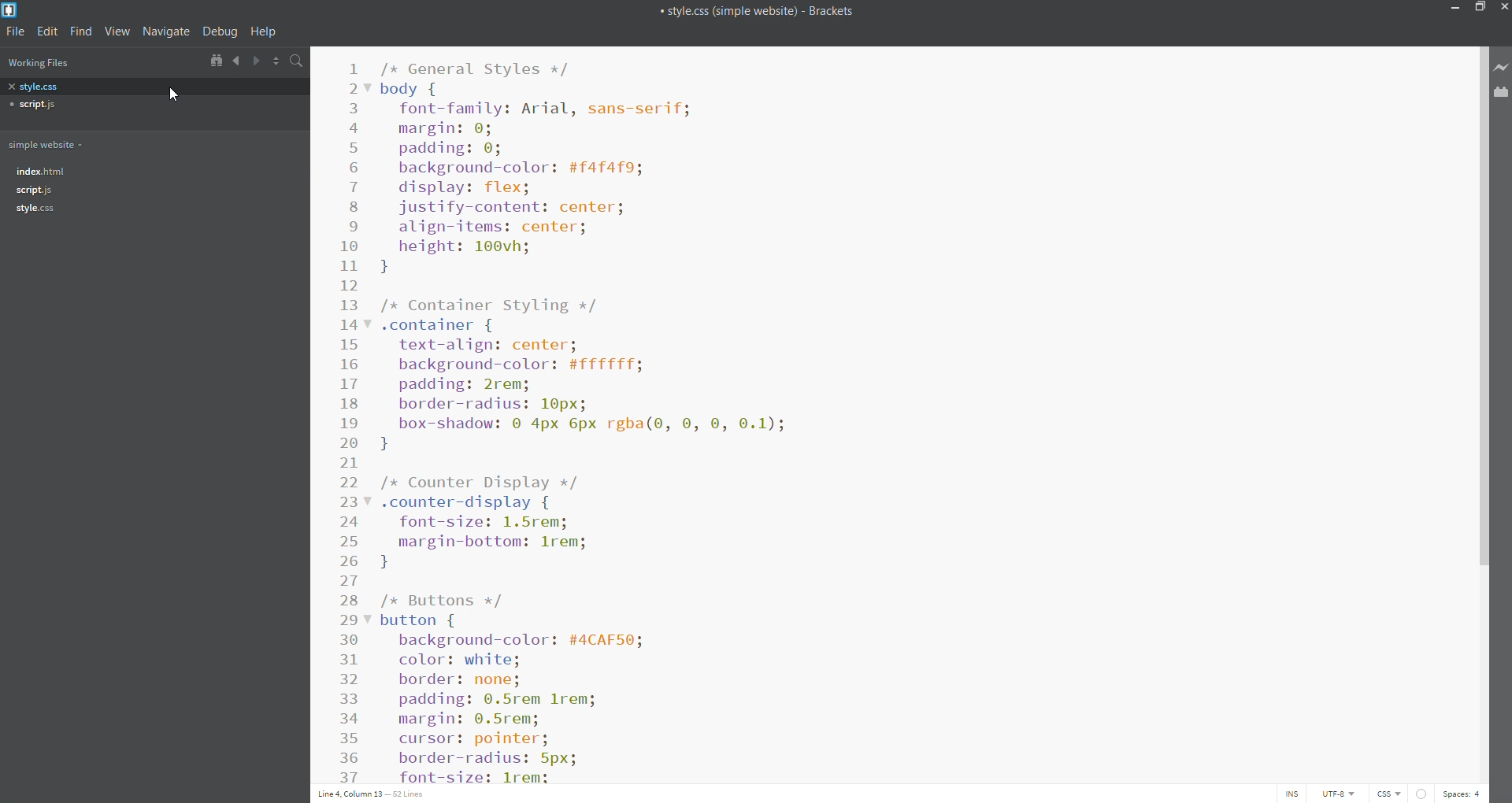  What do you see at coordinates (235, 61) in the screenshot?
I see `navigate backward` at bounding box center [235, 61].